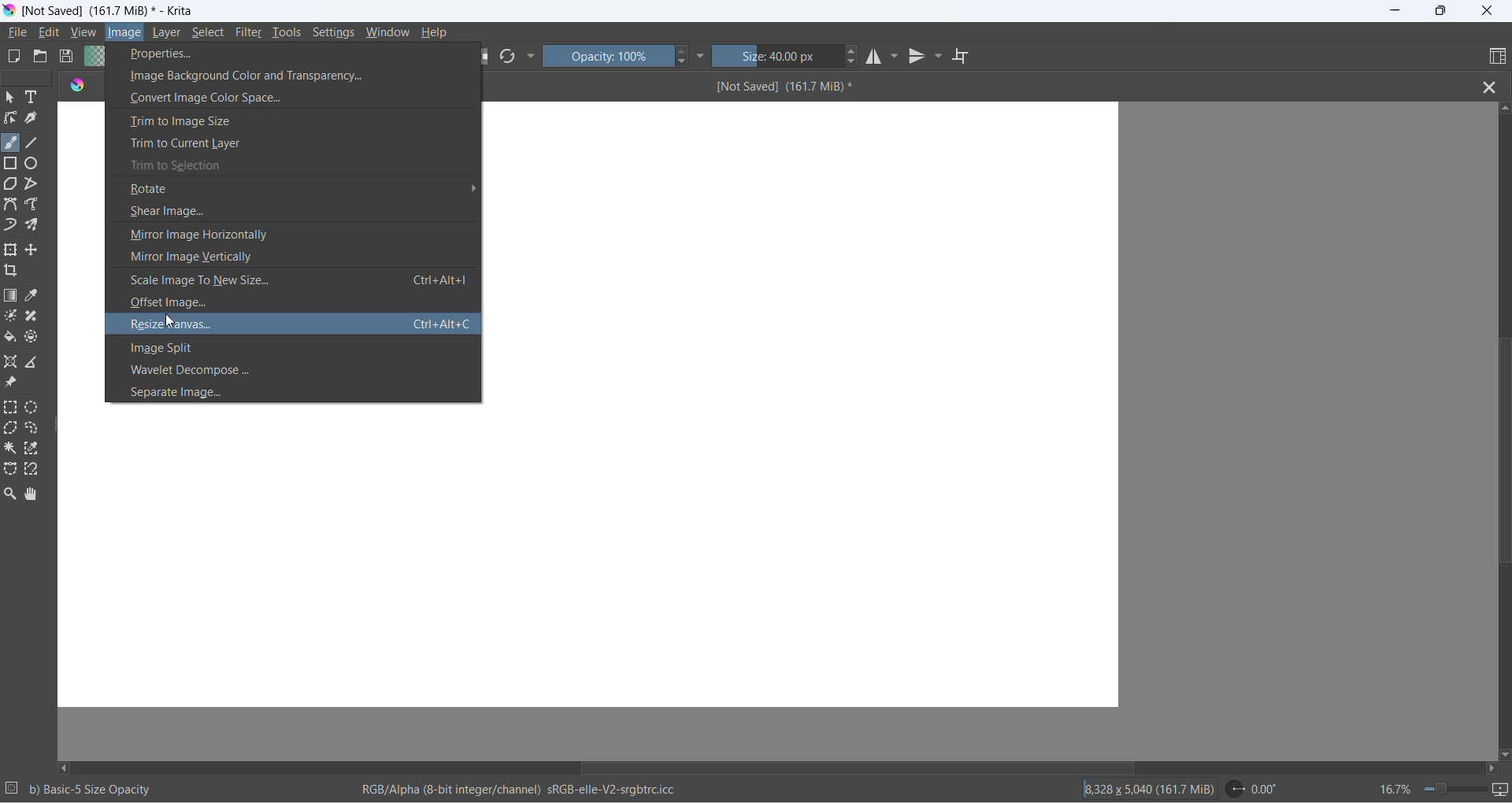 This screenshot has height=803, width=1512. I want to click on mirror image horizontally, so click(295, 237).